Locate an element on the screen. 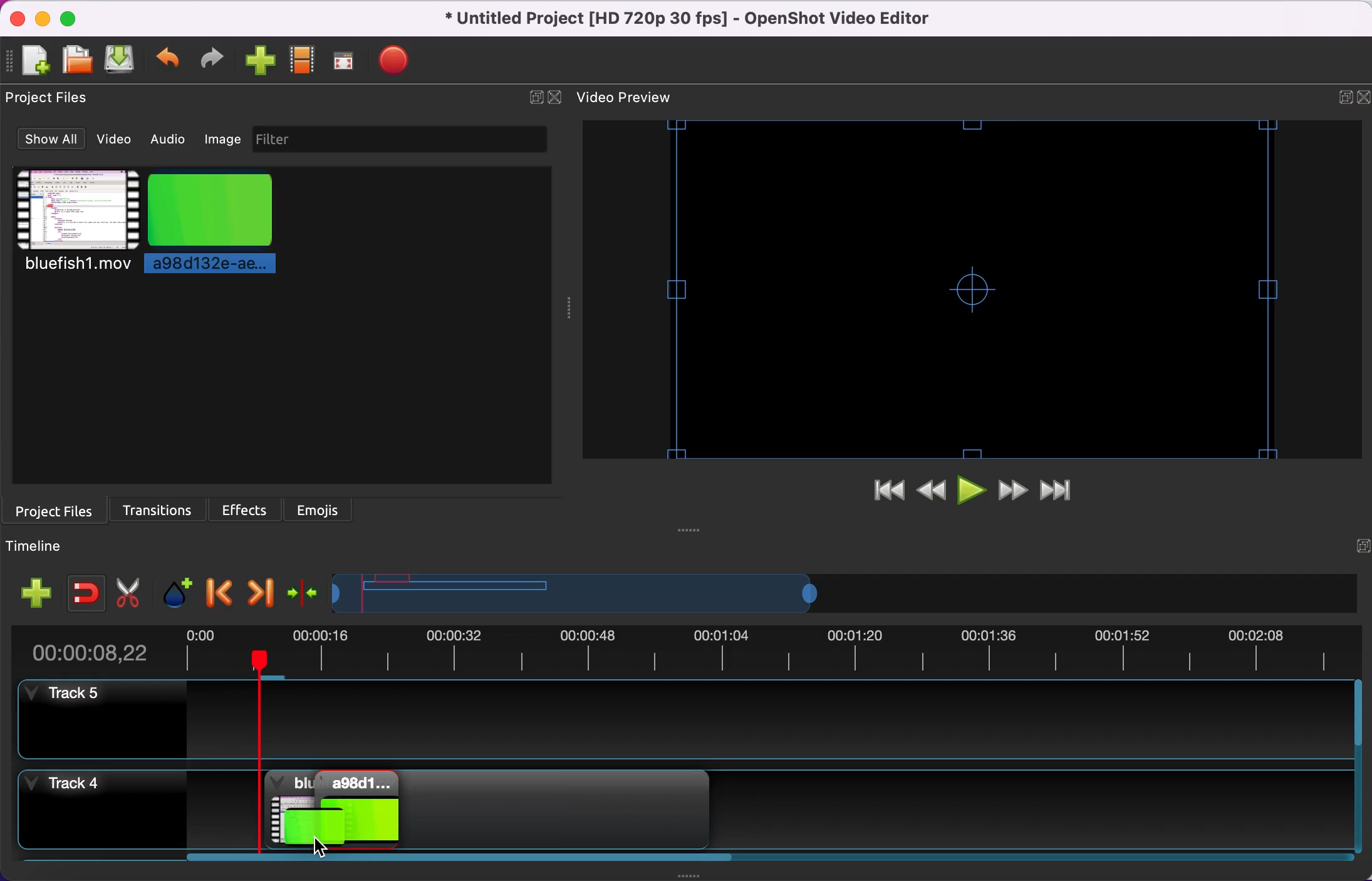  fast forward is located at coordinates (1016, 493).